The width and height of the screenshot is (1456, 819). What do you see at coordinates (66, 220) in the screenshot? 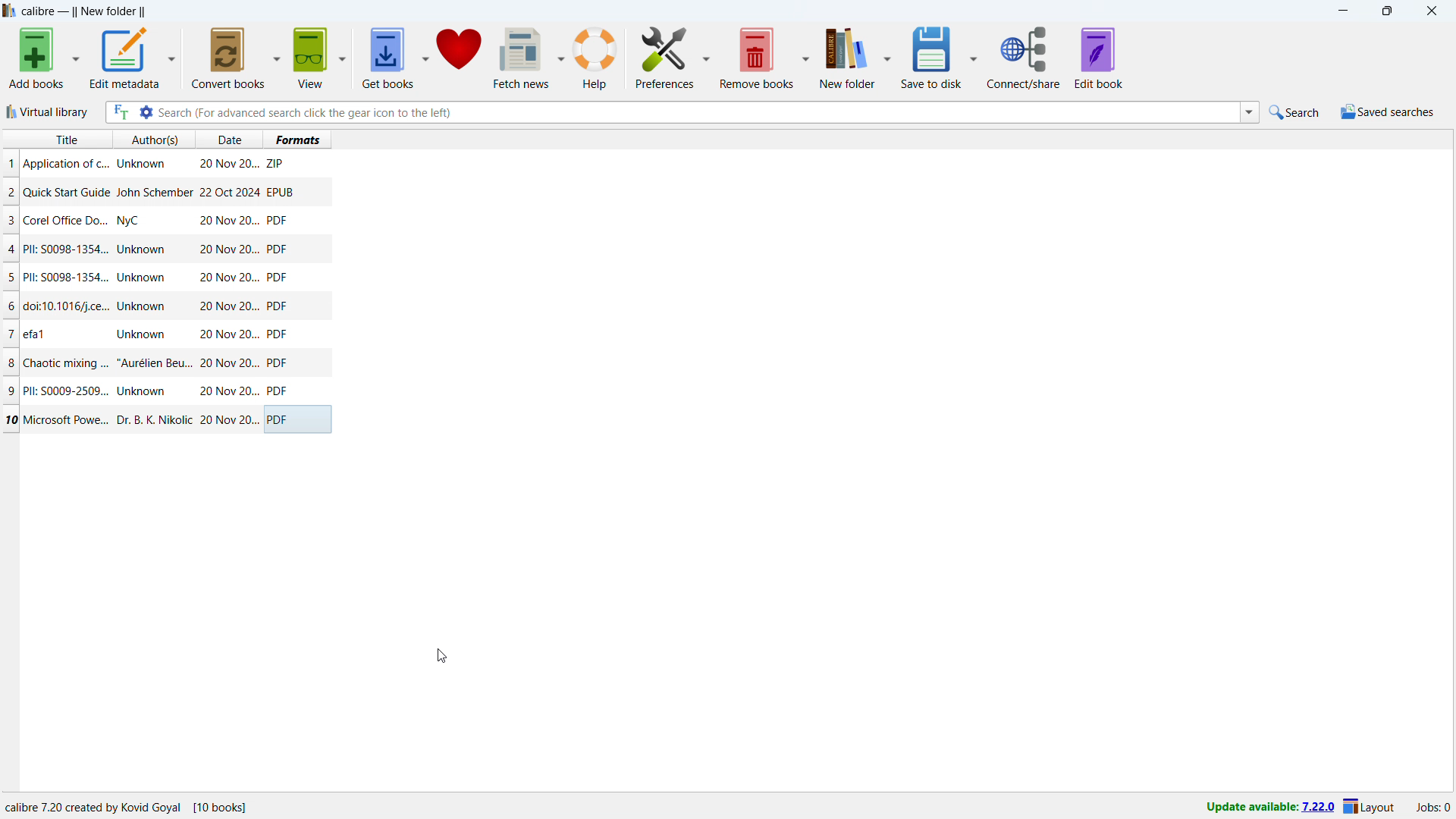
I see `Corel Office Do...` at bounding box center [66, 220].